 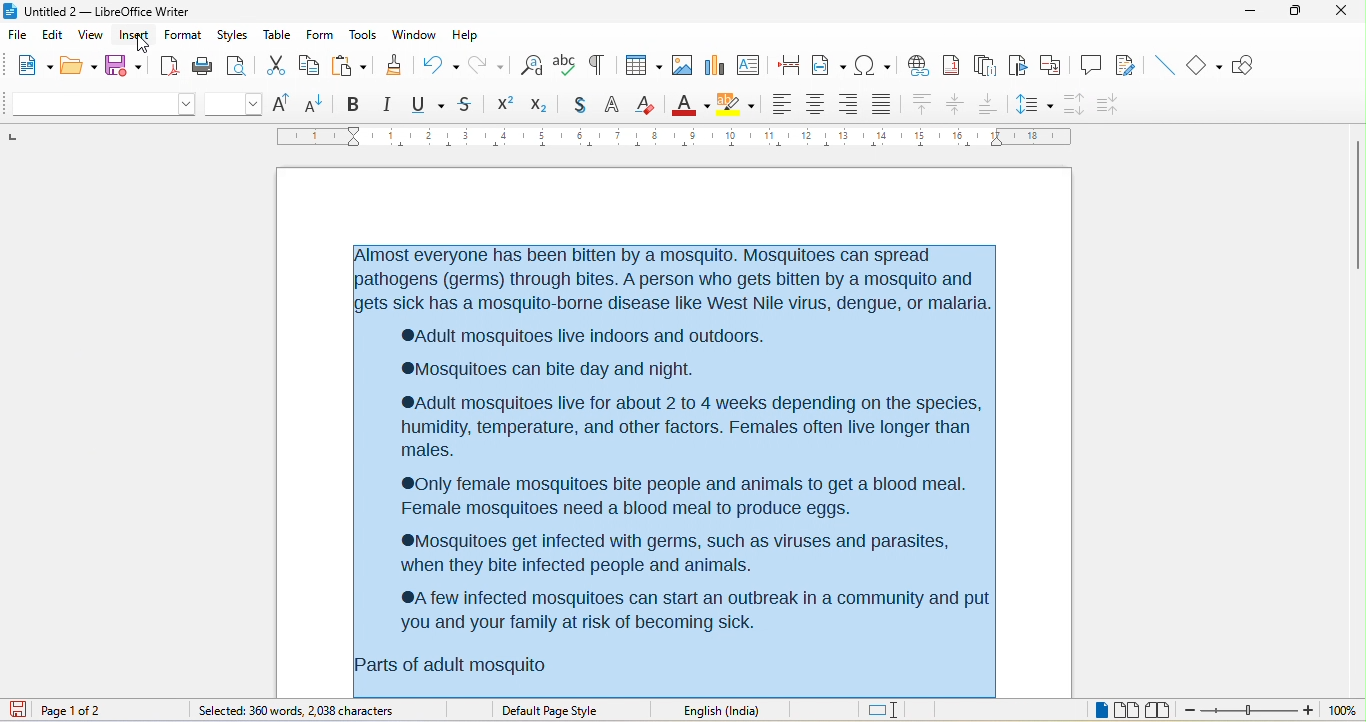 What do you see at coordinates (233, 34) in the screenshot?
I see `styles` at bounding box center [233, 34].